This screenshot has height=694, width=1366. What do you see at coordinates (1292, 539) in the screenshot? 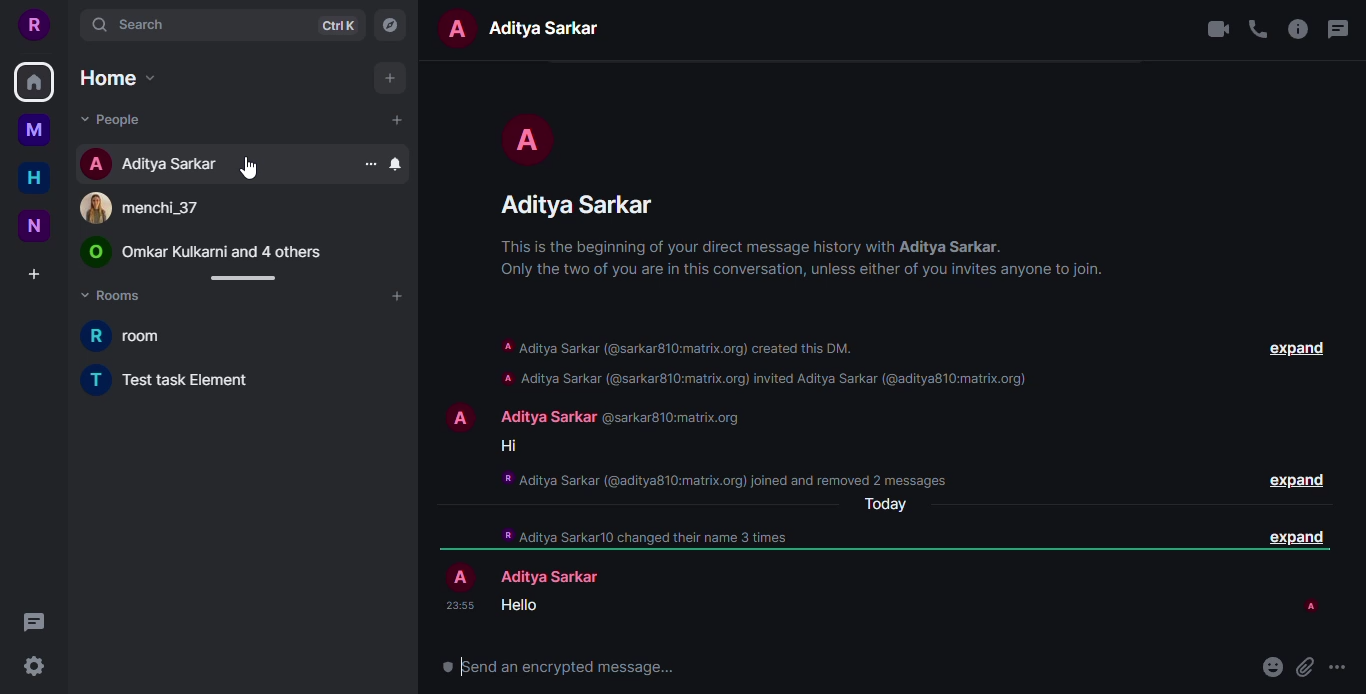
I see `expand` at bounding box center [1292, 539].